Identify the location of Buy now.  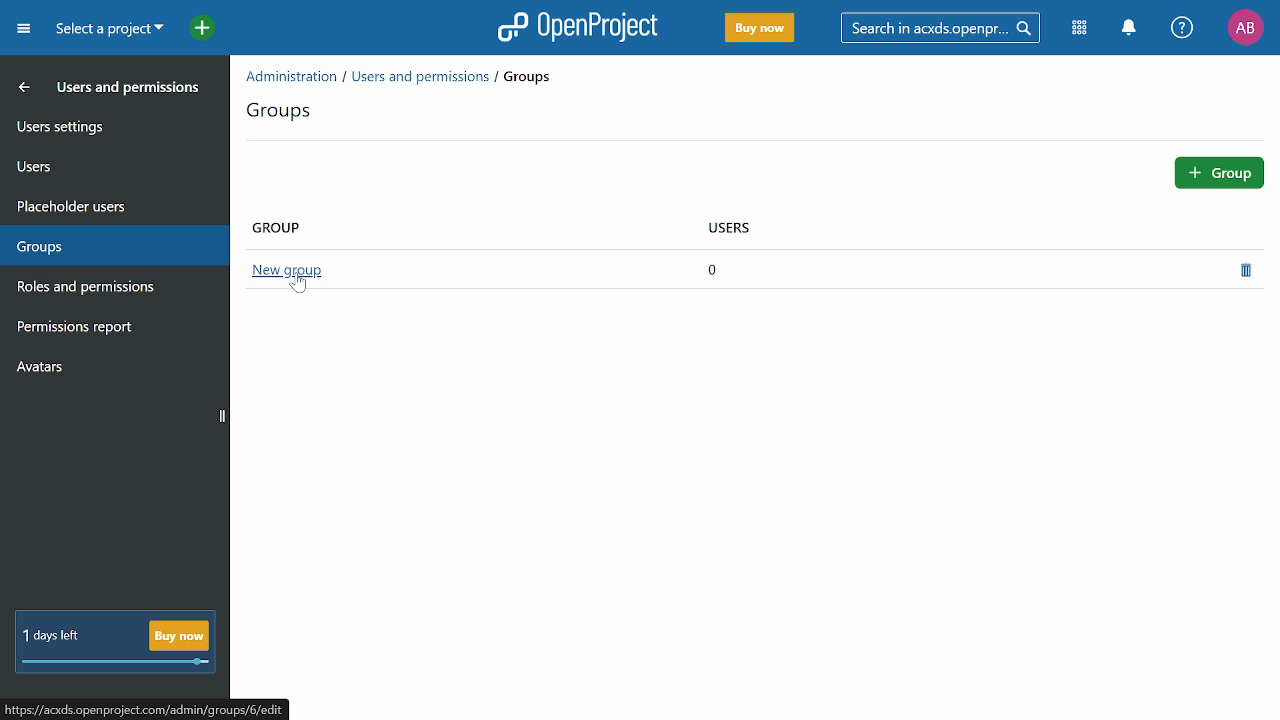
(758, 29).